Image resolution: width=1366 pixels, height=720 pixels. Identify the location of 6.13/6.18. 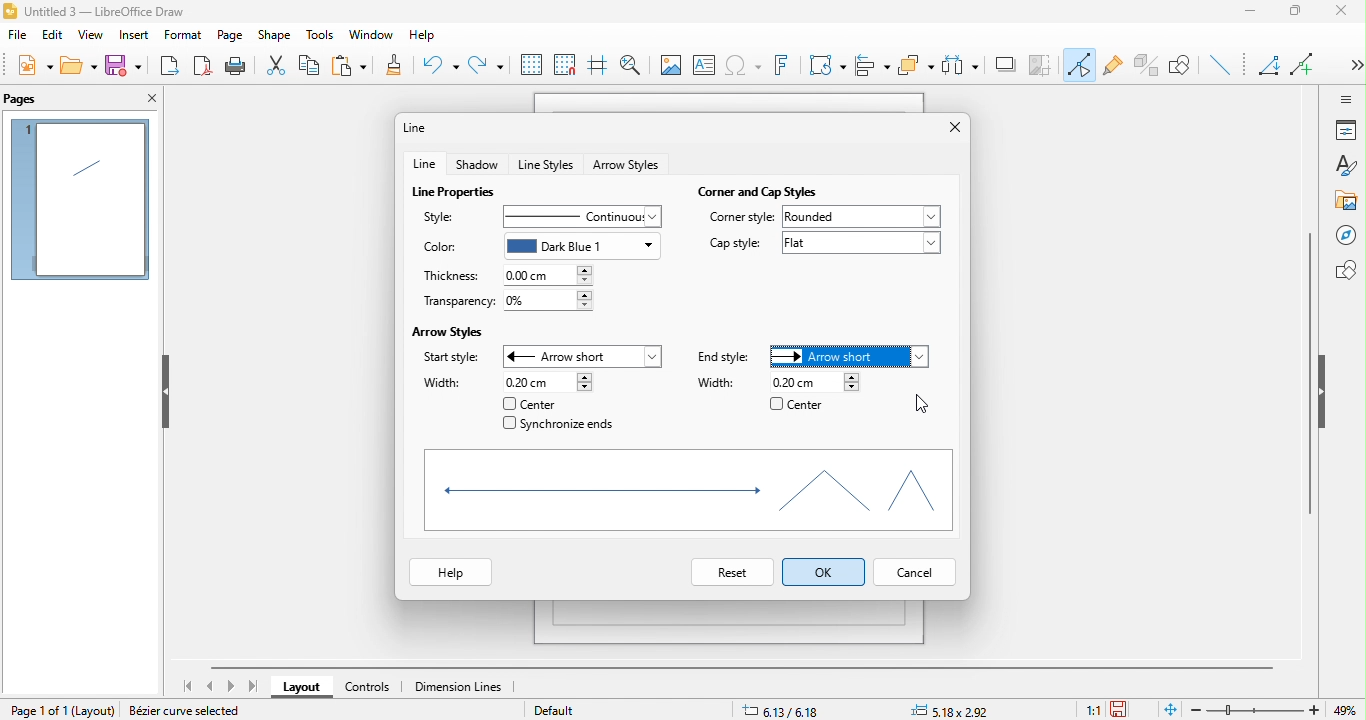
(783, 710).